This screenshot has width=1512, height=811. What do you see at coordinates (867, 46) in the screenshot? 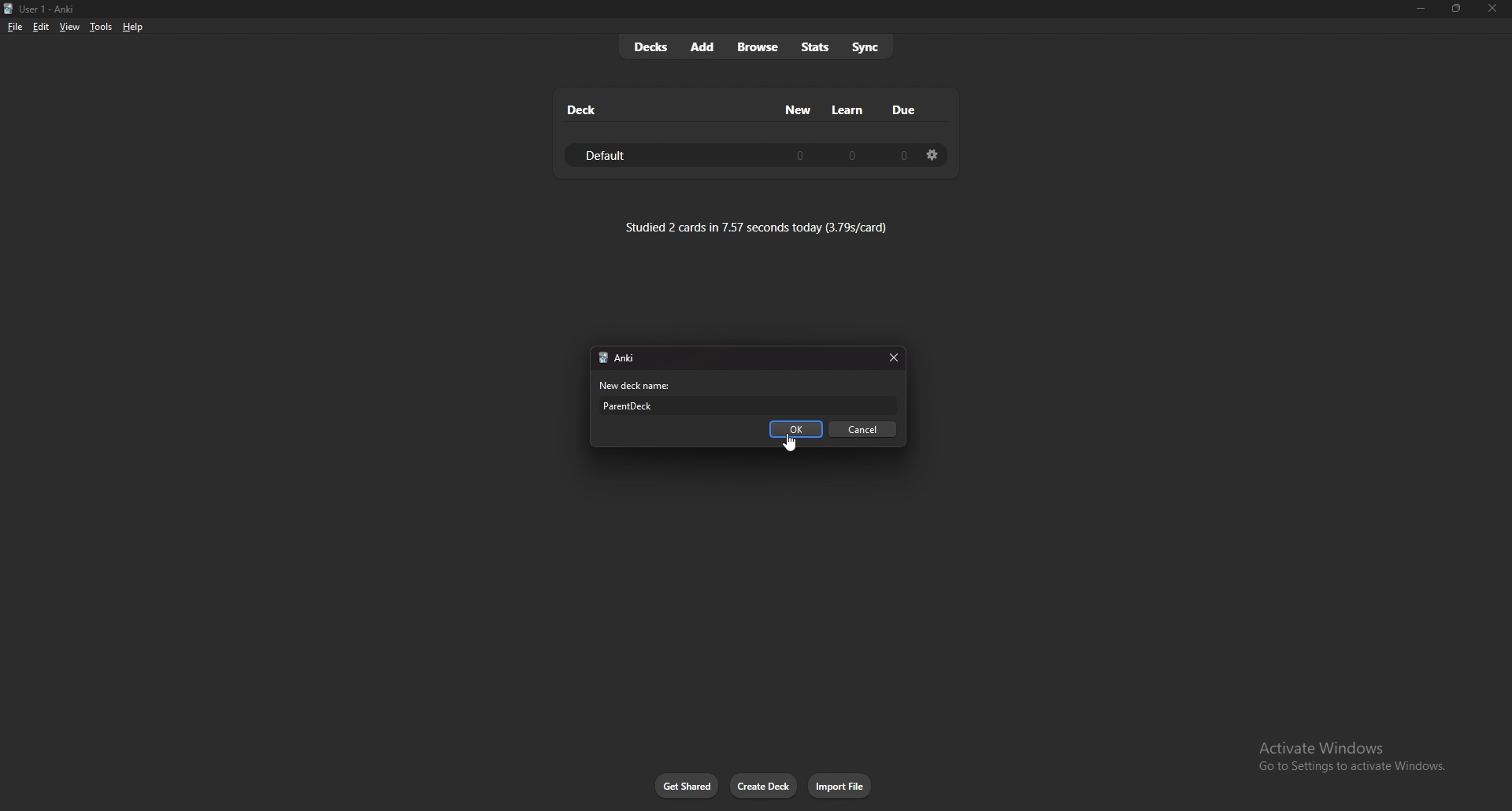
I see `sync` at bounding box center [867, 46].